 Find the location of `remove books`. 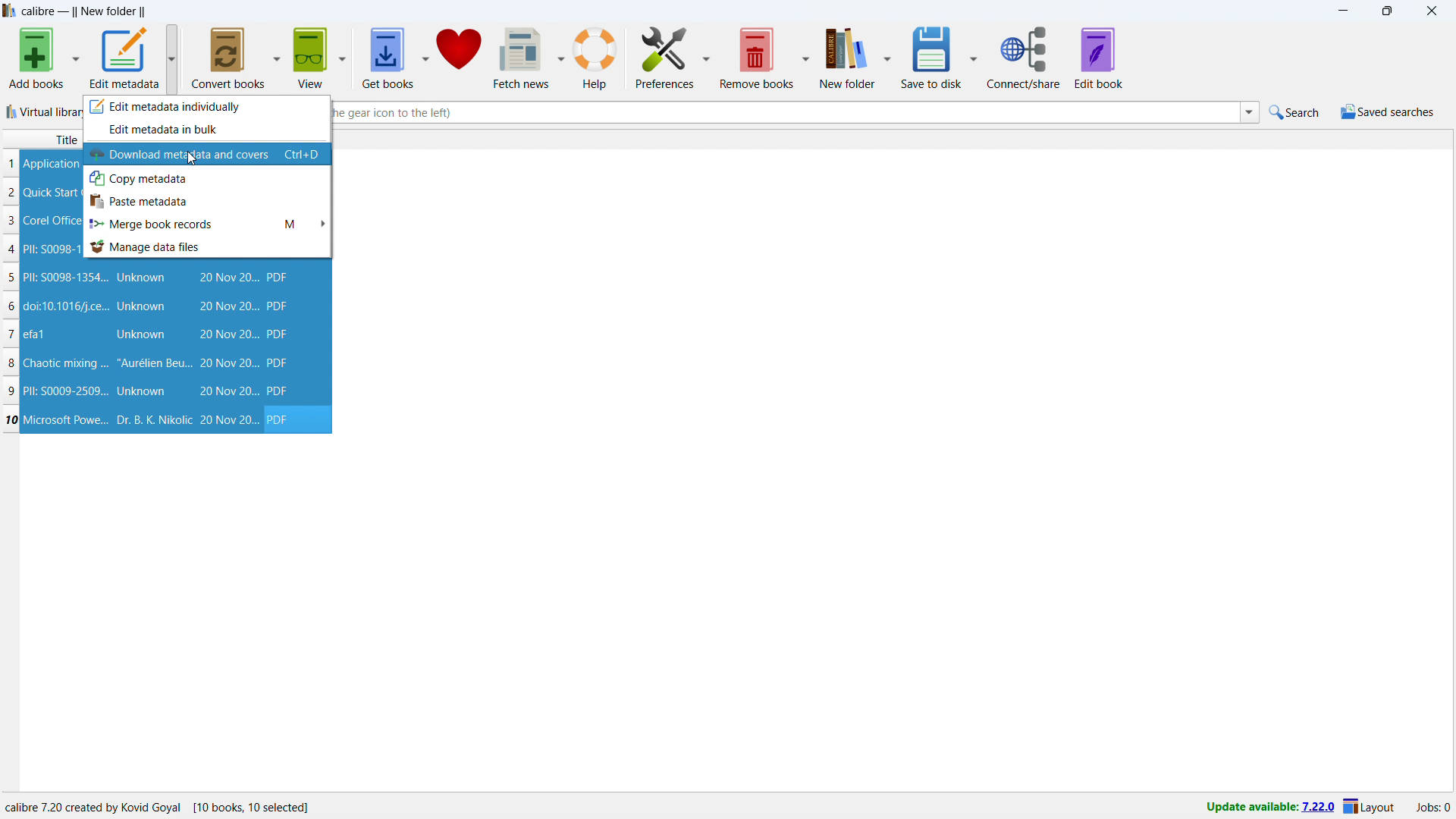

remove books is located at coordinates (757, 58).